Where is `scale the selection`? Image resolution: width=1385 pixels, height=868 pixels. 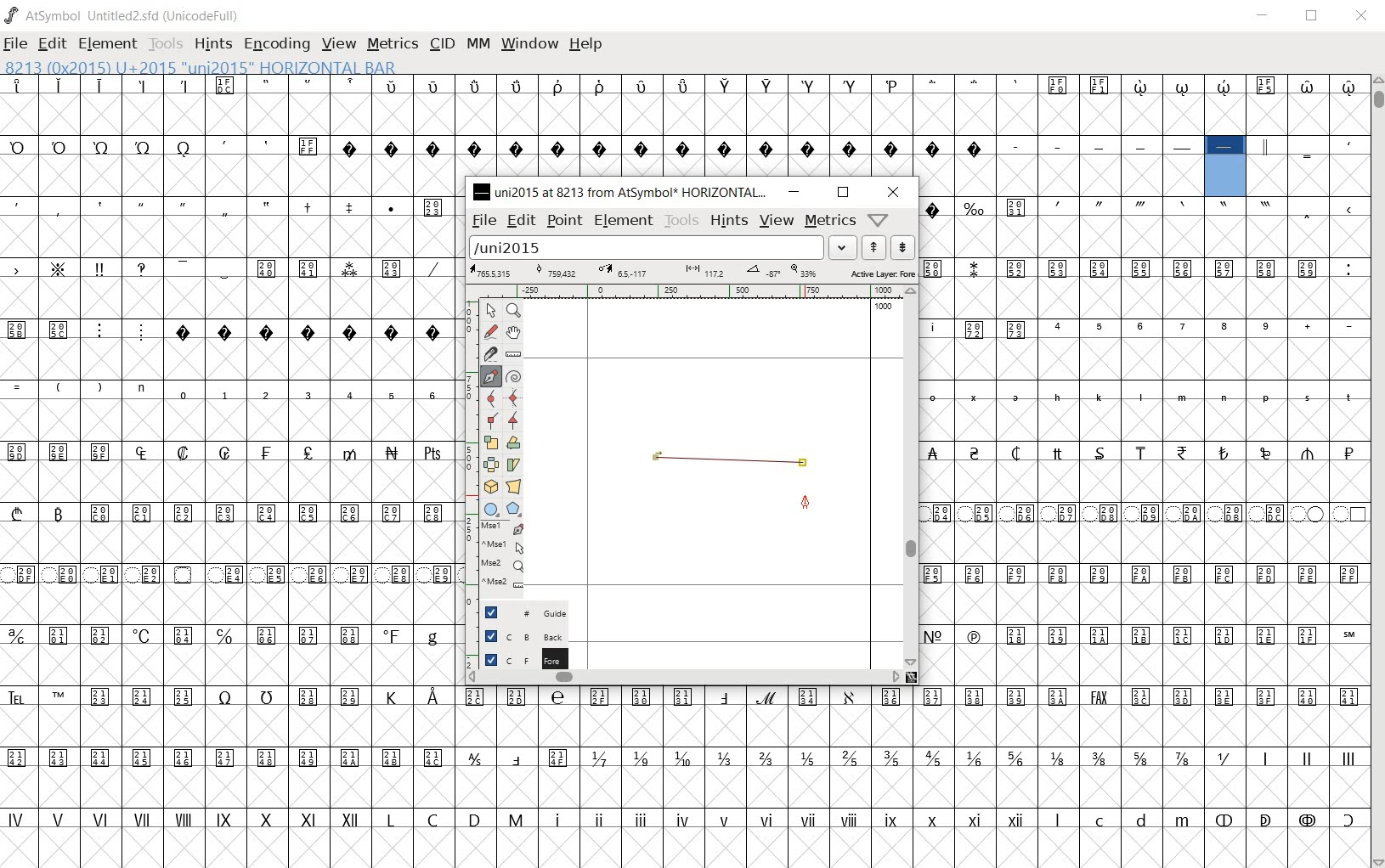 scale the selection is located at coordinates (490, 442).